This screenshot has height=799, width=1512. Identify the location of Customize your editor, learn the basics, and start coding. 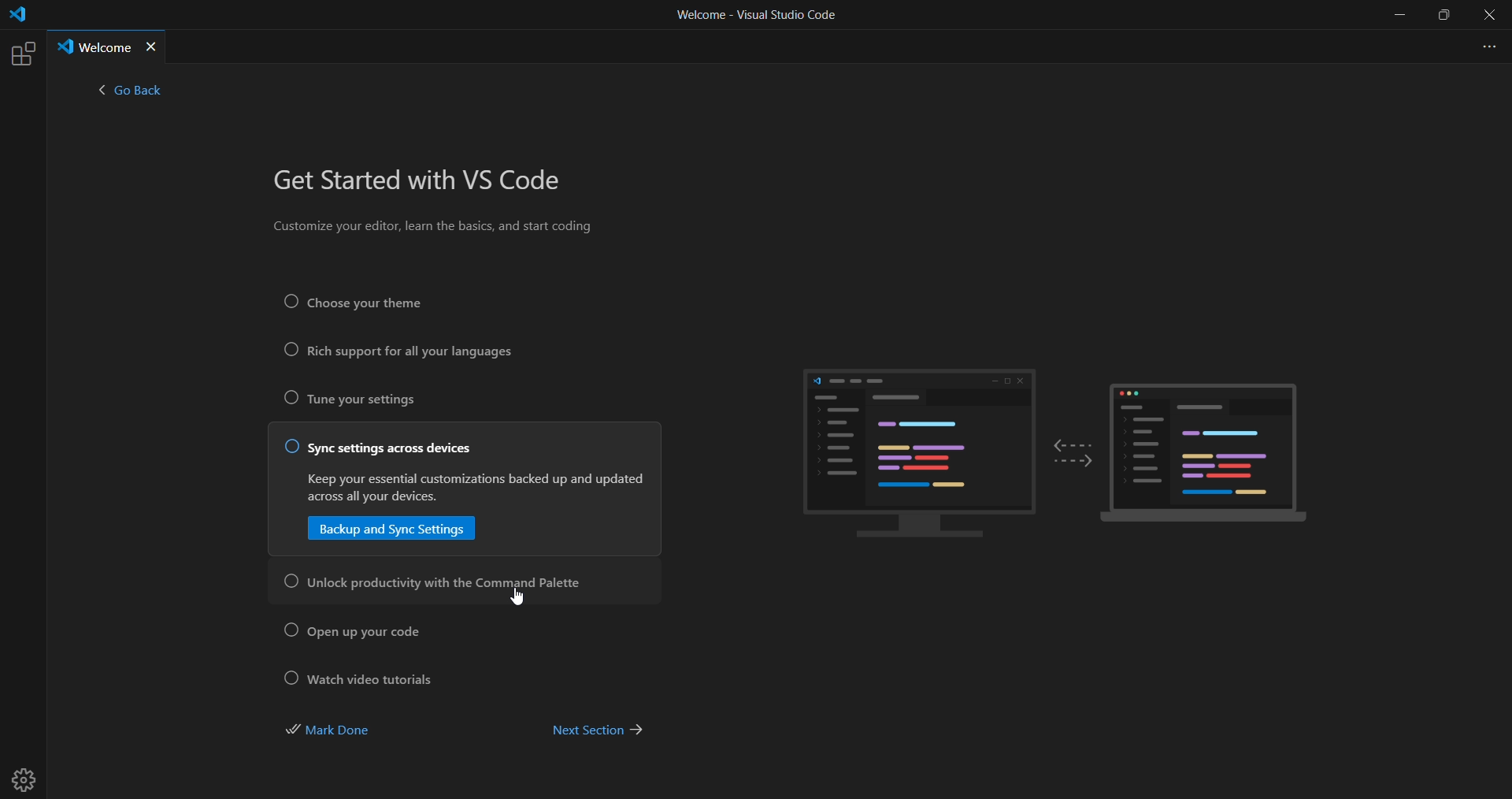
(436, 229).